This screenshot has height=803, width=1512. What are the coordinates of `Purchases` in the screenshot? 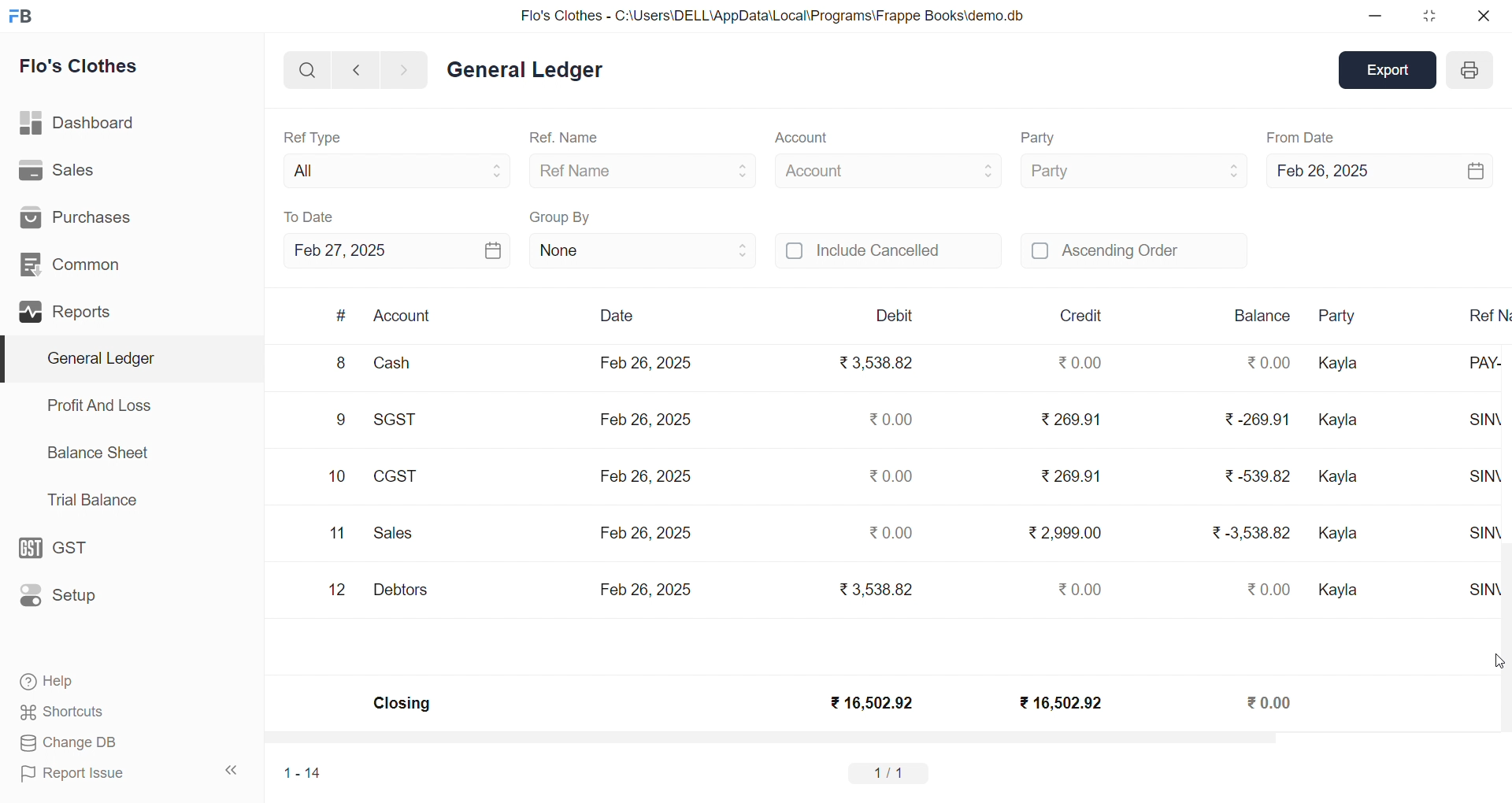 It's located at (84, 216).